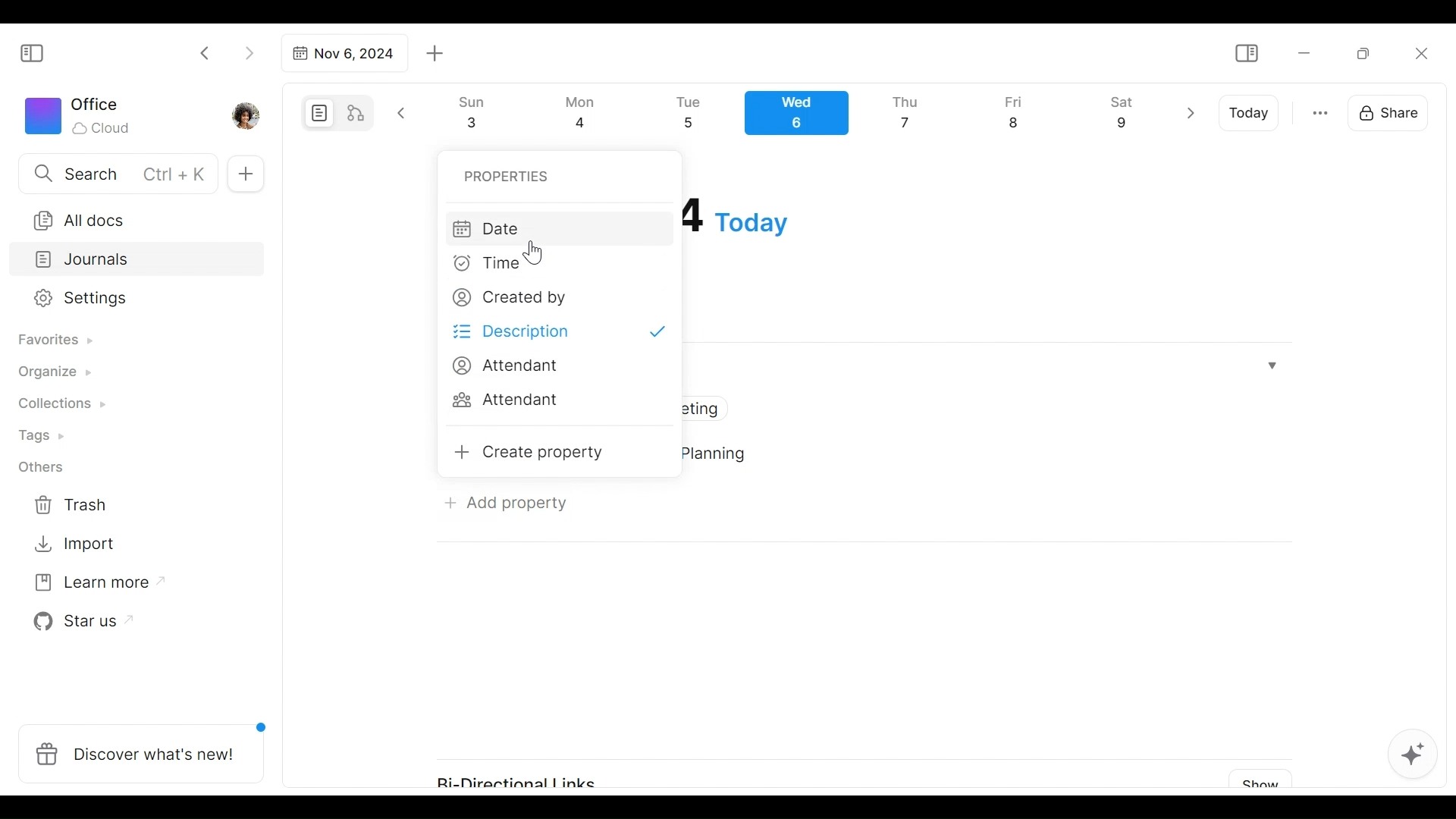  What do you see at coordinates (249, 52) in the screenshot?
I see `Click to go forward` at bounding box center [249, 52].